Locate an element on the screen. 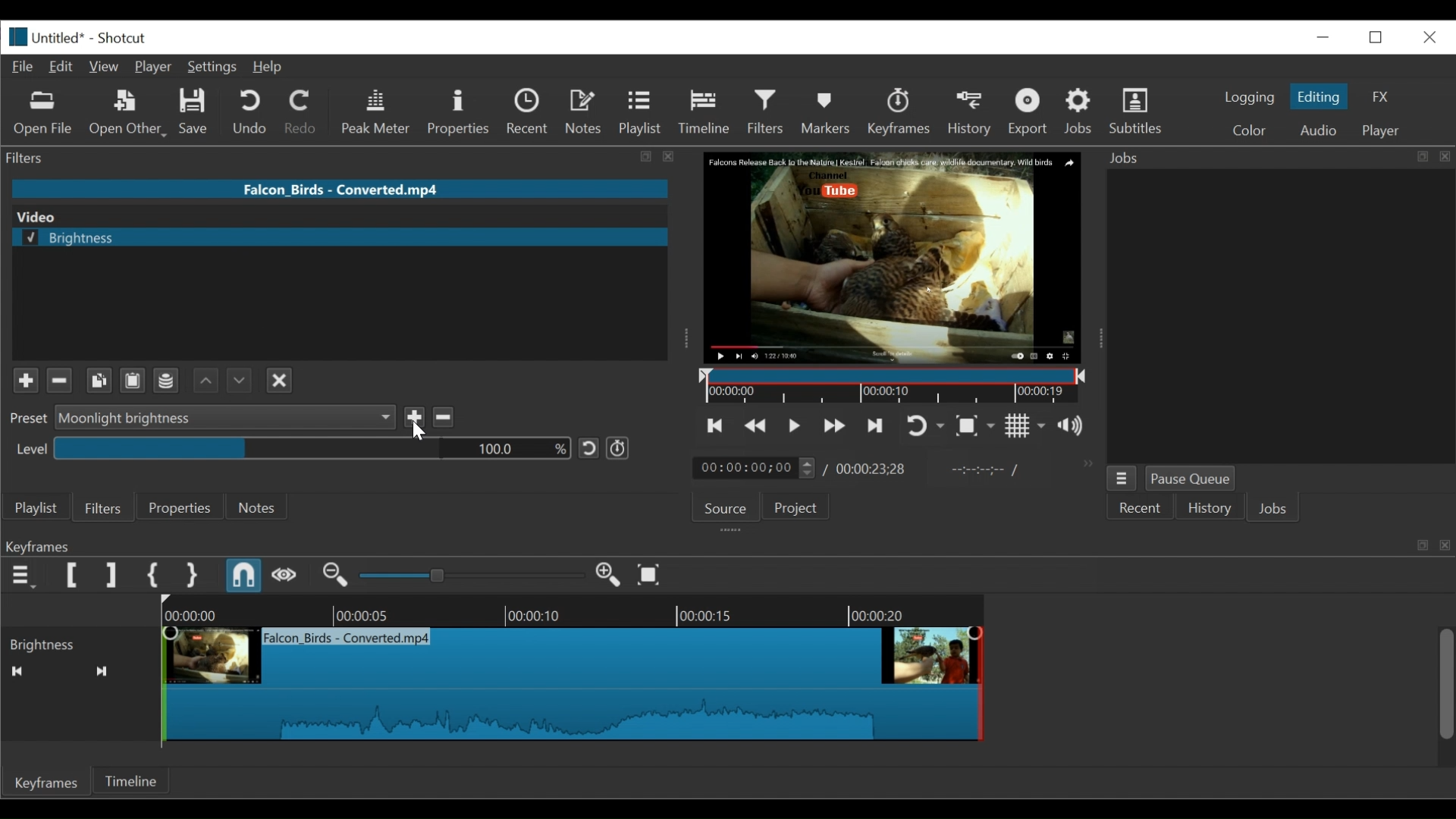 This screenshot has height=819, width=1456. Source is located at coordinates (726, 508).